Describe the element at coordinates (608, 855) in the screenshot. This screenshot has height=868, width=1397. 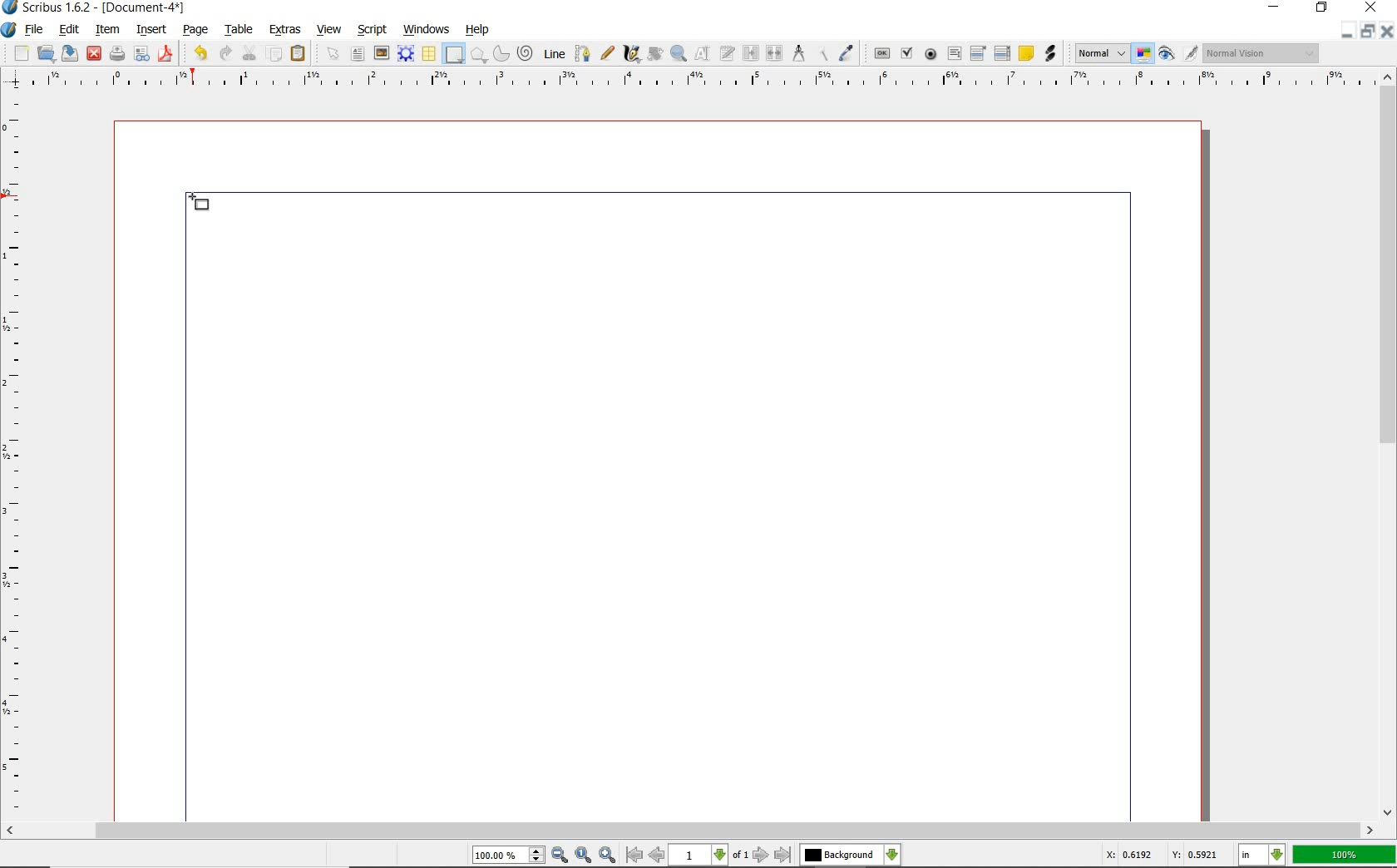
I see `zoom in` at that location.